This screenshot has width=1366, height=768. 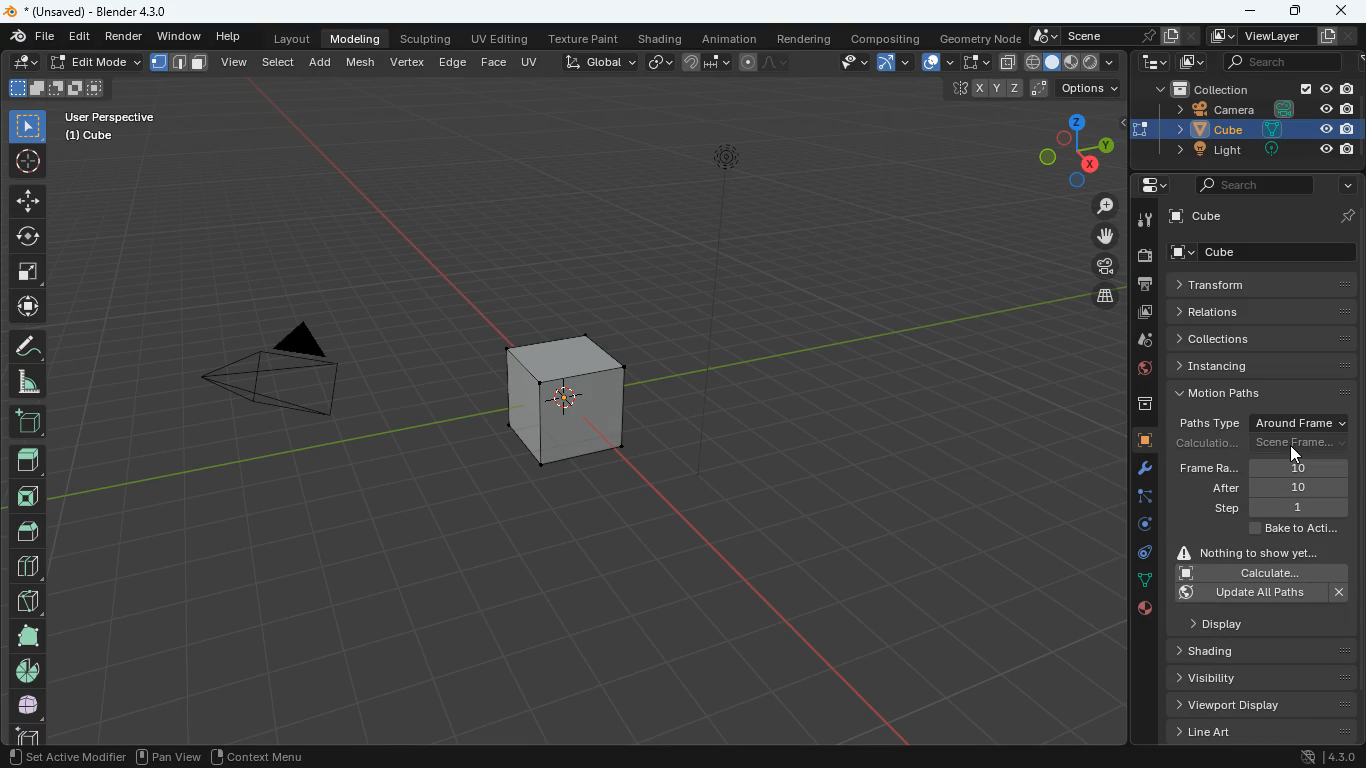 I want to click on paths, so click(x=1264, y=392).